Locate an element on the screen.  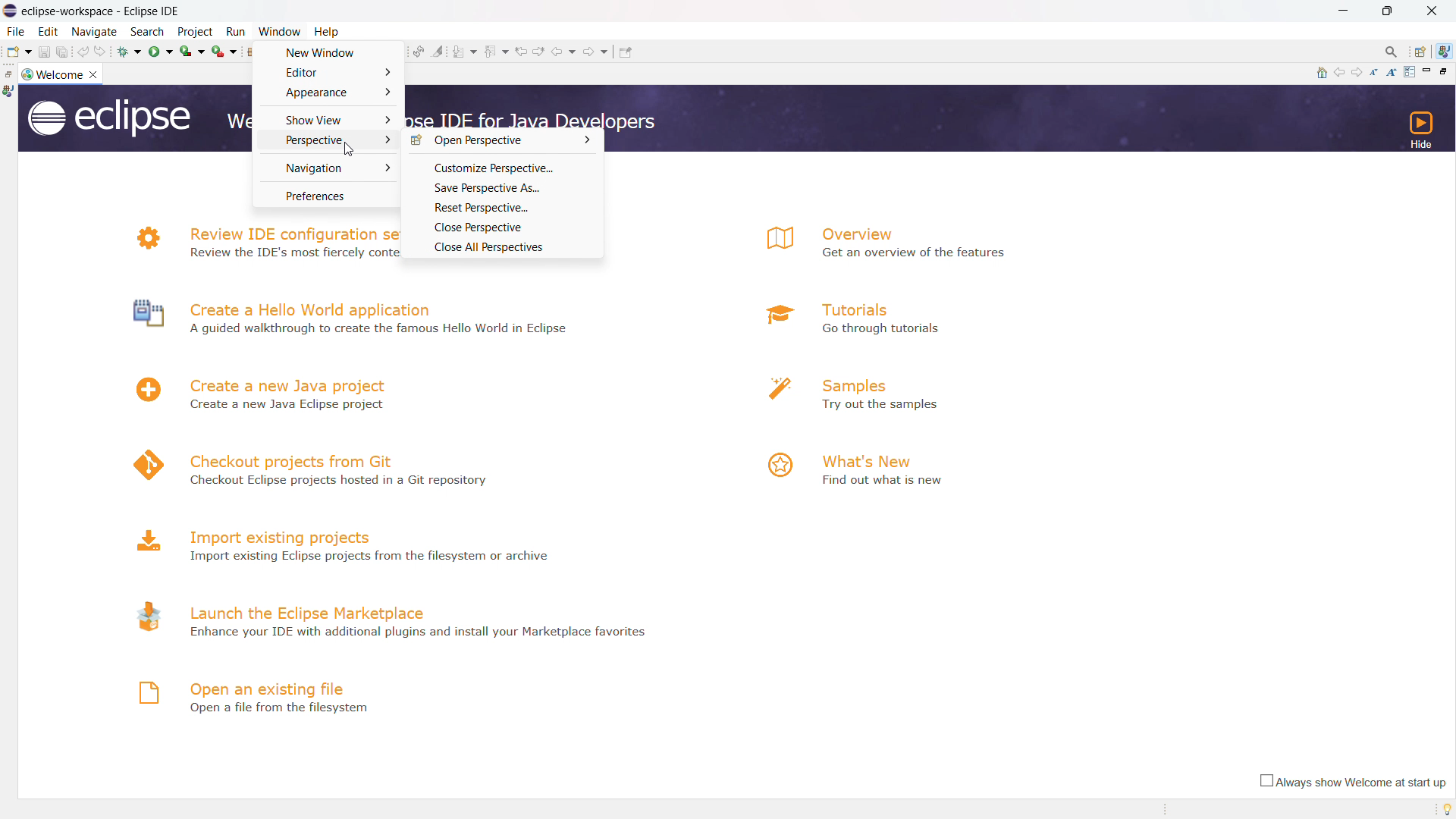
tip of the day is located at coordinates (1442, 808).